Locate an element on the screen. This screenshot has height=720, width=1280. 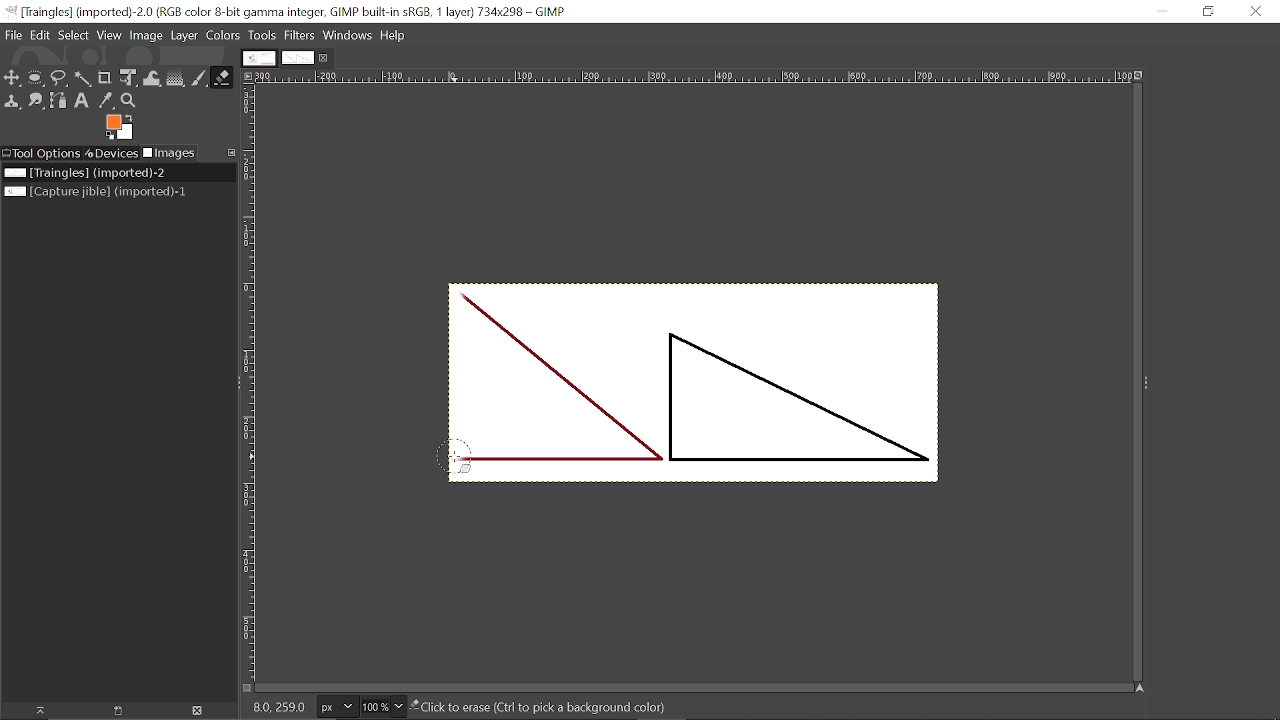
Configure this tab is located at coordinates (229, 154).